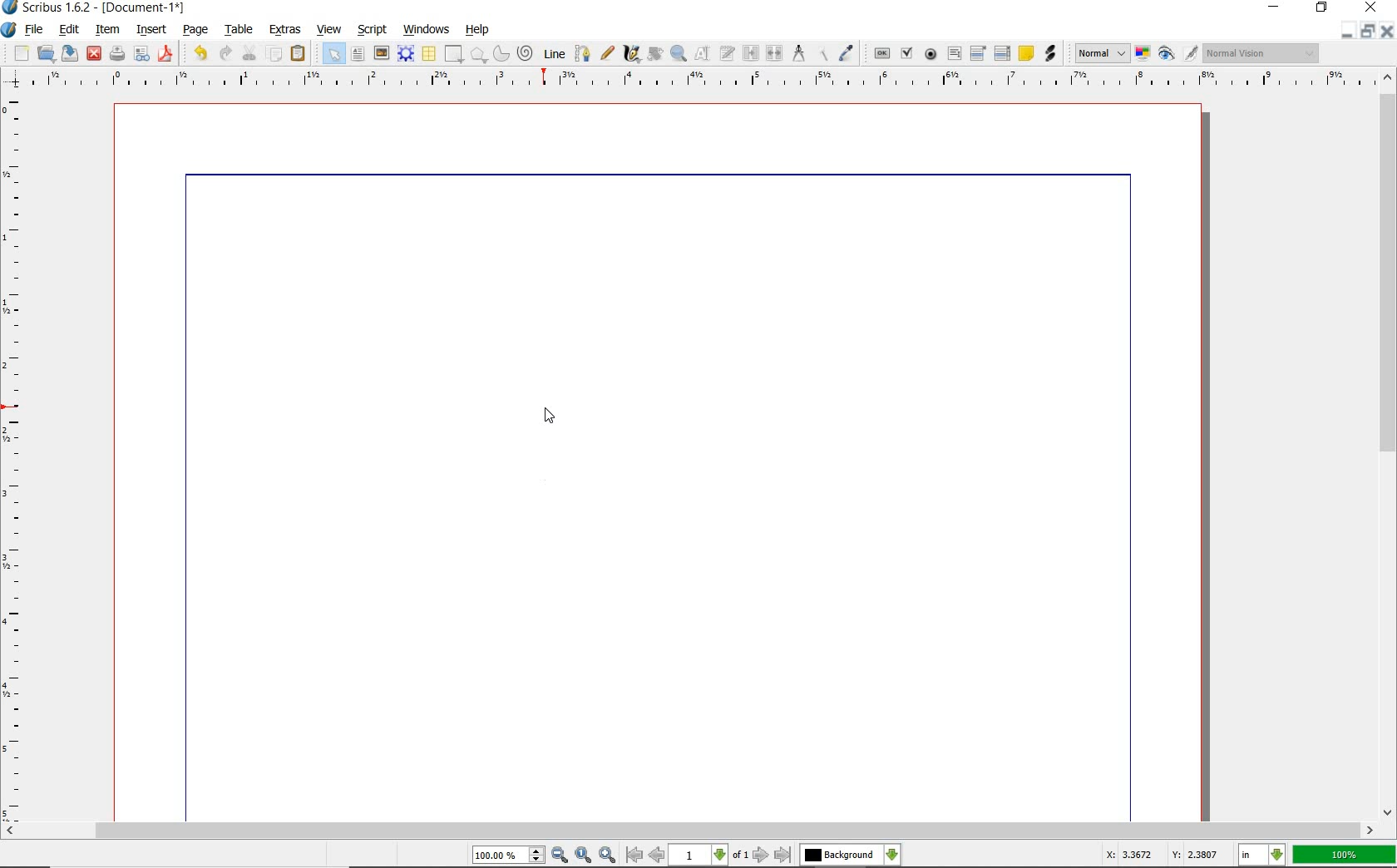 This screenshot has width=1397, height=868. I want to click on close, so click(94, 53).